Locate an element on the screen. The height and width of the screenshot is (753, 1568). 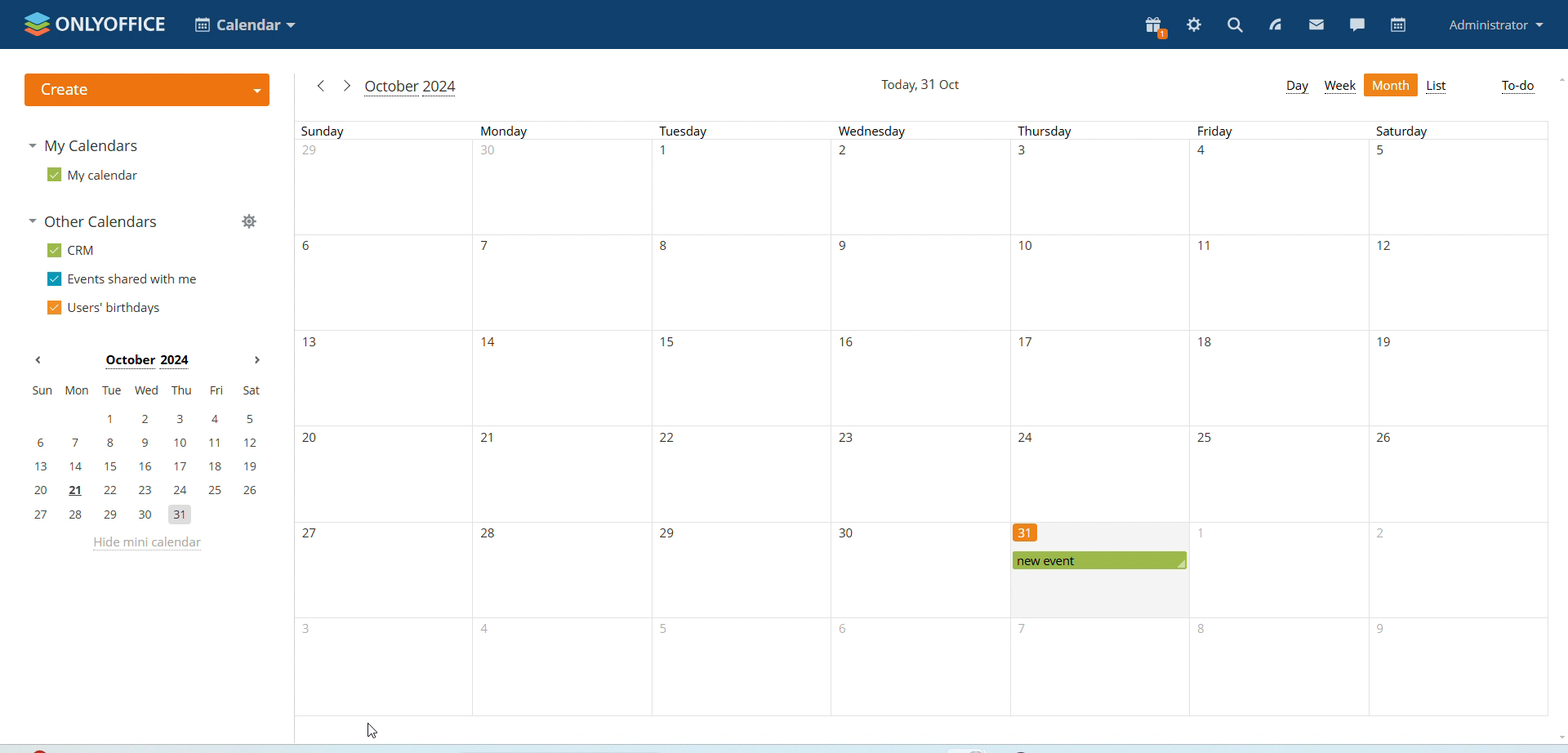
CRM is located at coordinates (73, 250).